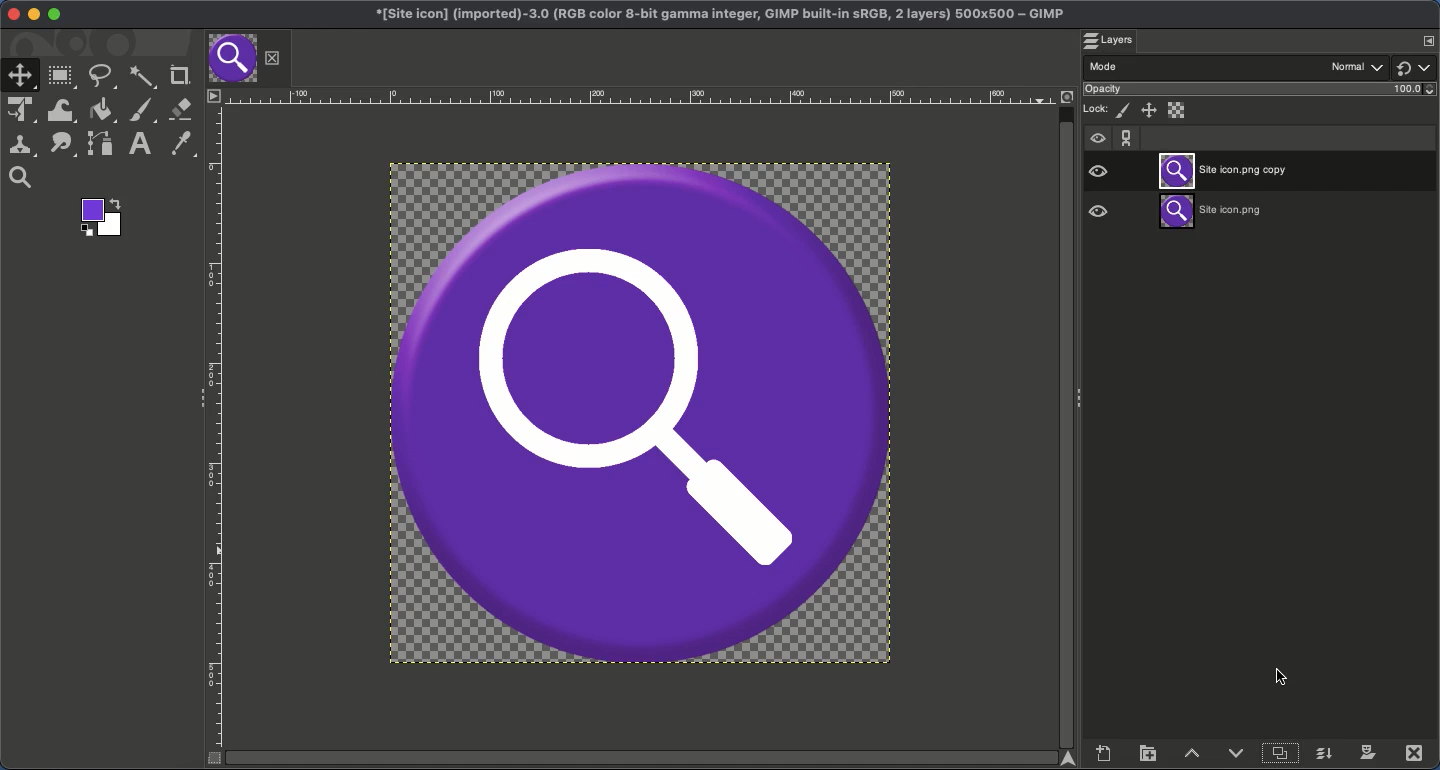 This screenshot has width=1440, height=770. Describe the element at coordinates (196, 393) in the screenshot. I see `Collapse` at that location.